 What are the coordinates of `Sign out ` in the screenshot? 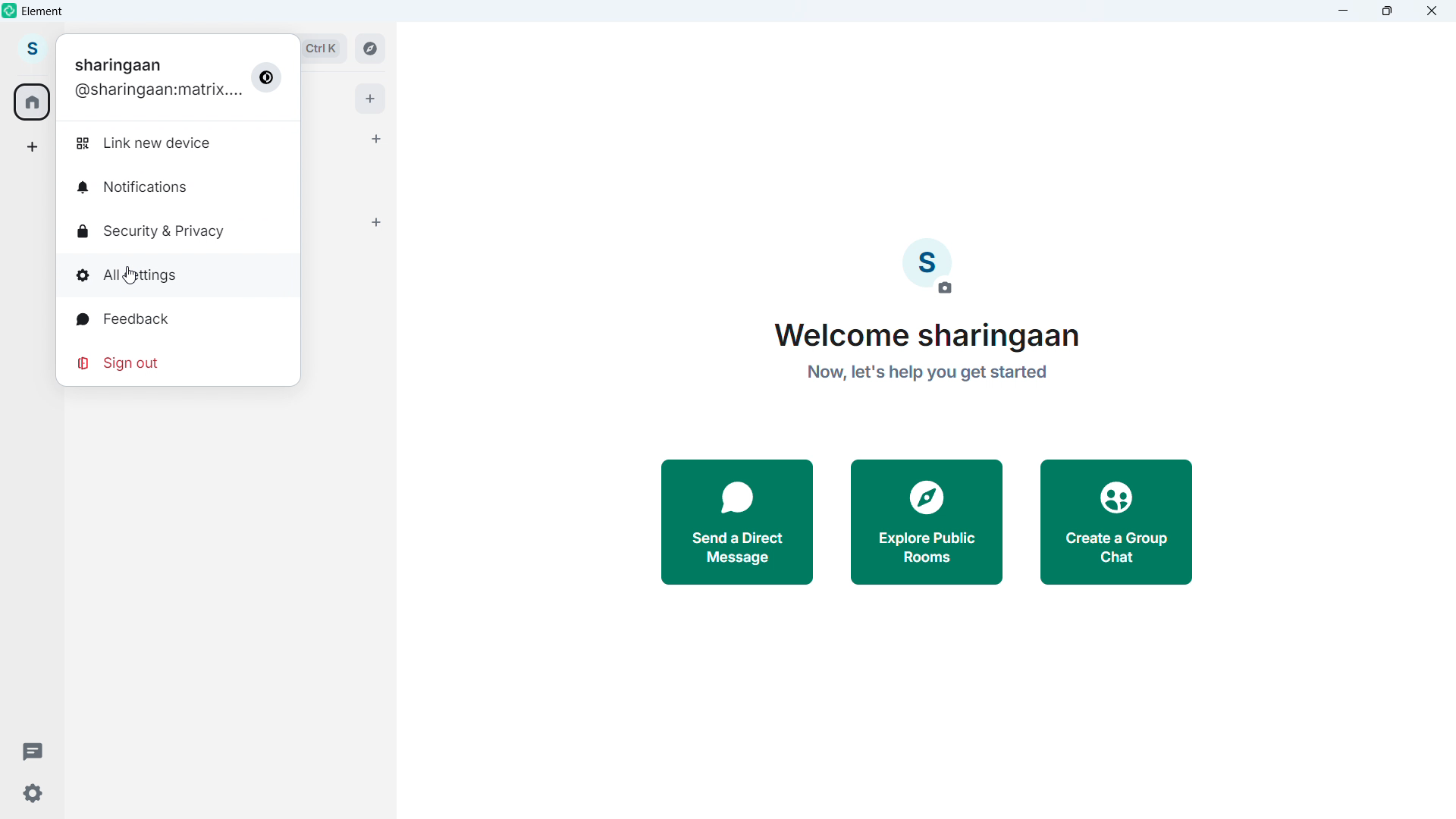 It's located at (121, 362).